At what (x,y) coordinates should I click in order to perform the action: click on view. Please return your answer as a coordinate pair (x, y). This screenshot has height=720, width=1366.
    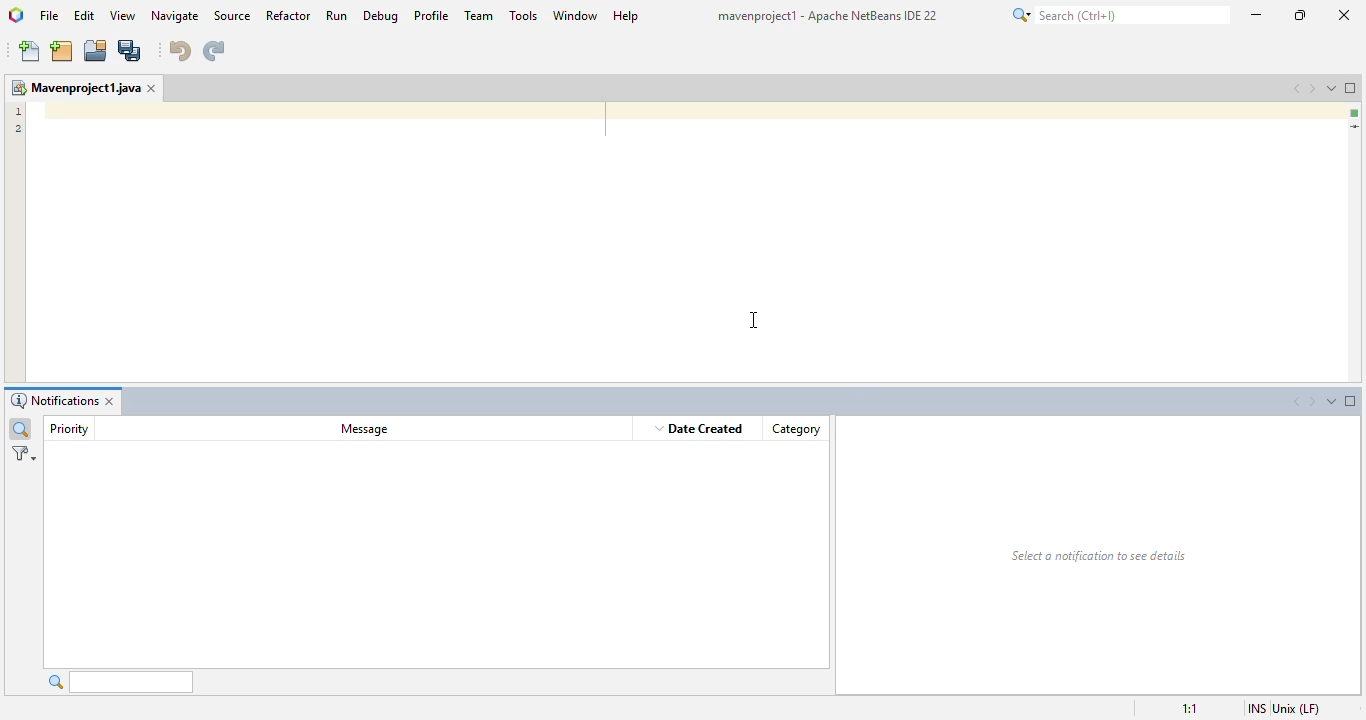
    Looking at the image, I should click on (124, 15).